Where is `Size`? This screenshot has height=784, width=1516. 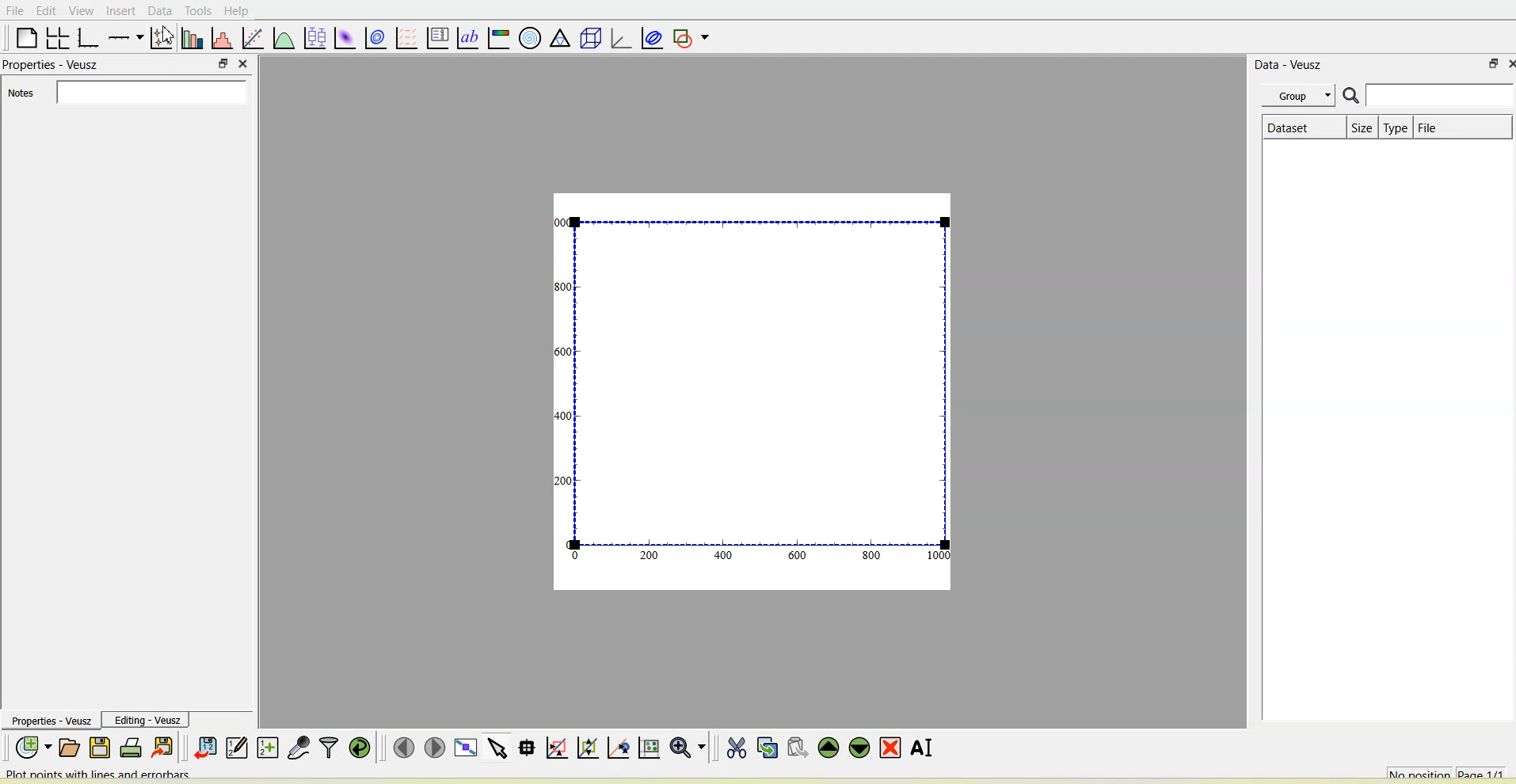
Size is located at coordinates (1362, 127).